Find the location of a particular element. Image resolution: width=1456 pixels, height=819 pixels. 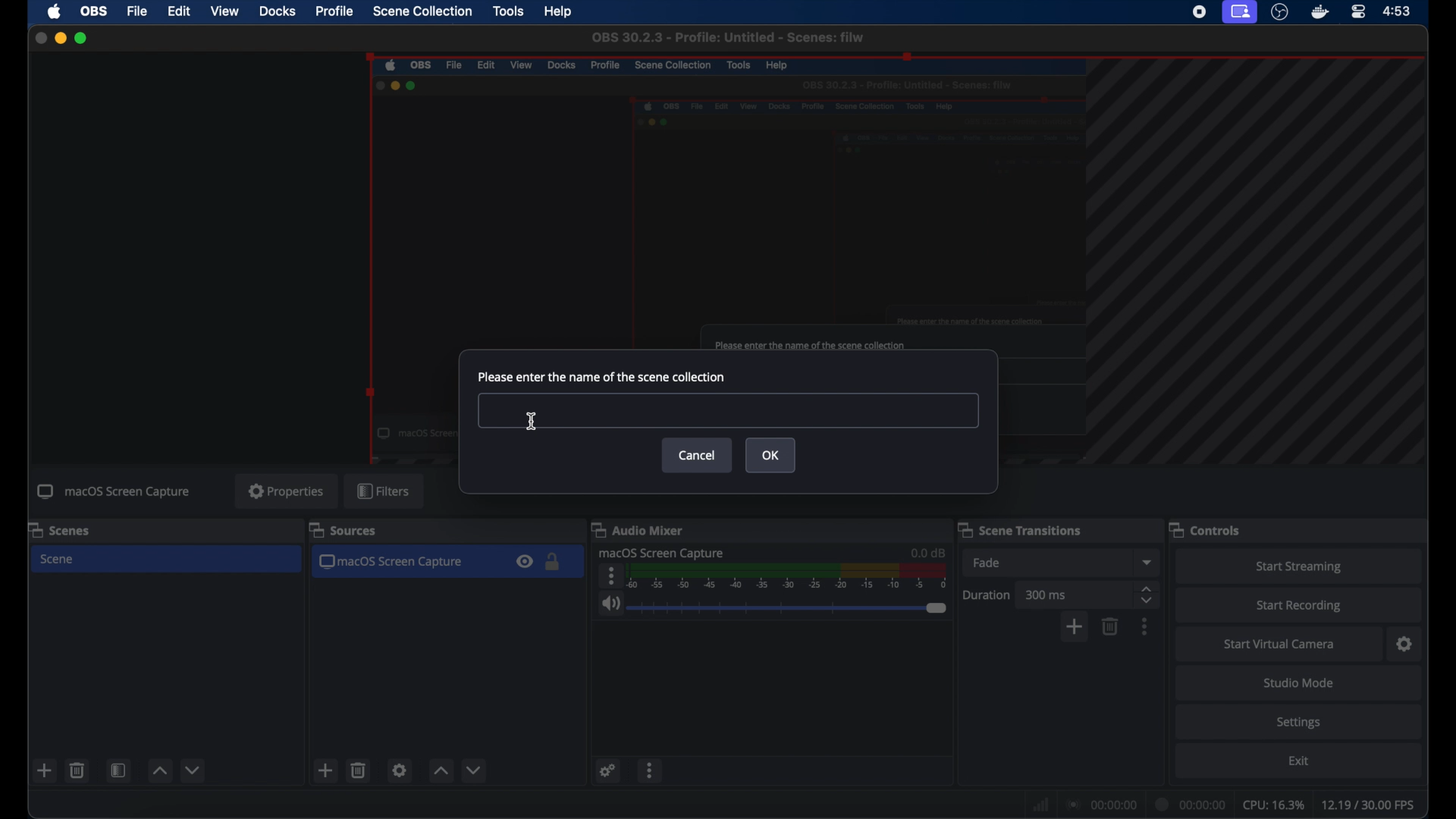

fade is located at coordinates (986, 563).